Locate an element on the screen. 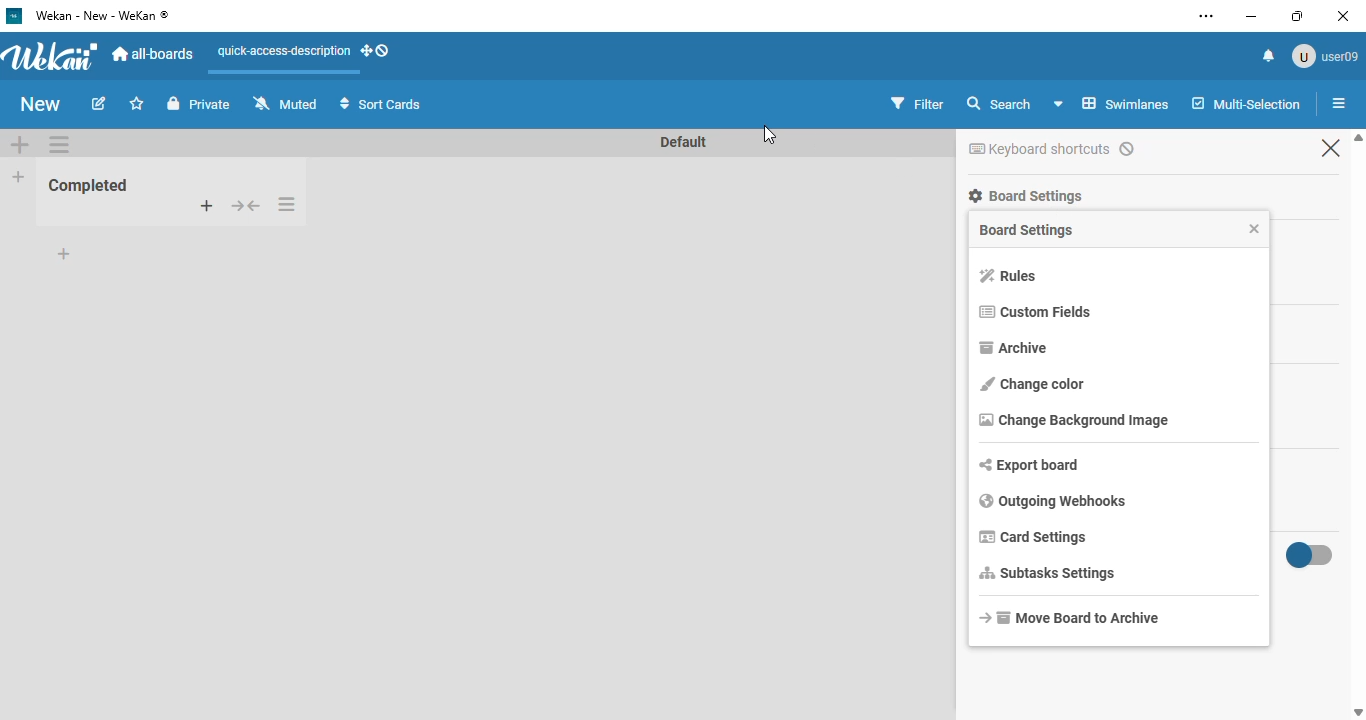 The height and width of the screenshot is (720, 1366). notifications is located at coordinates (1268, 55).